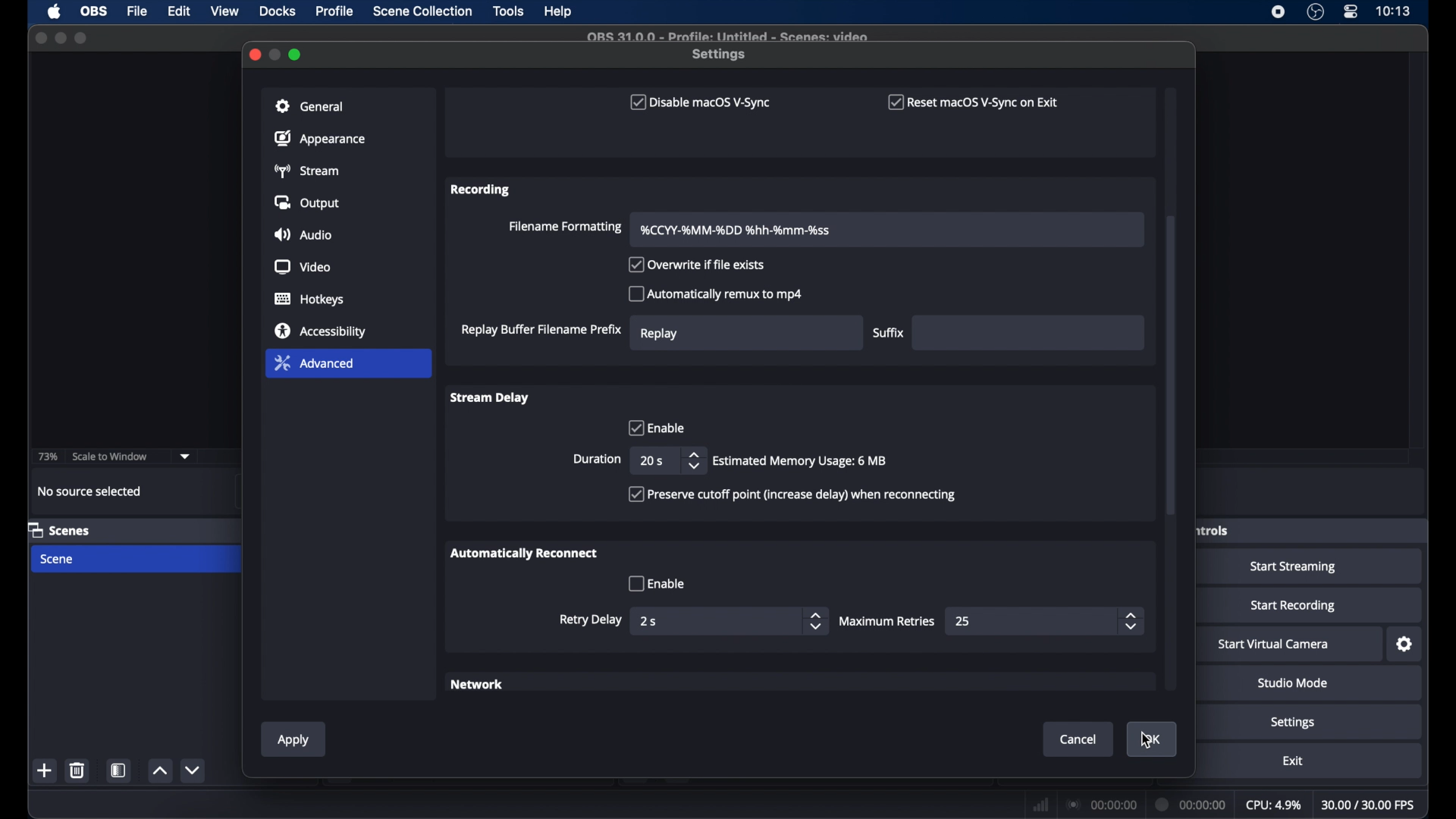  What do you see at coordinates (1210, 529) in the screenshot?
I see `obscure label` at bounding box center [1210, 529].